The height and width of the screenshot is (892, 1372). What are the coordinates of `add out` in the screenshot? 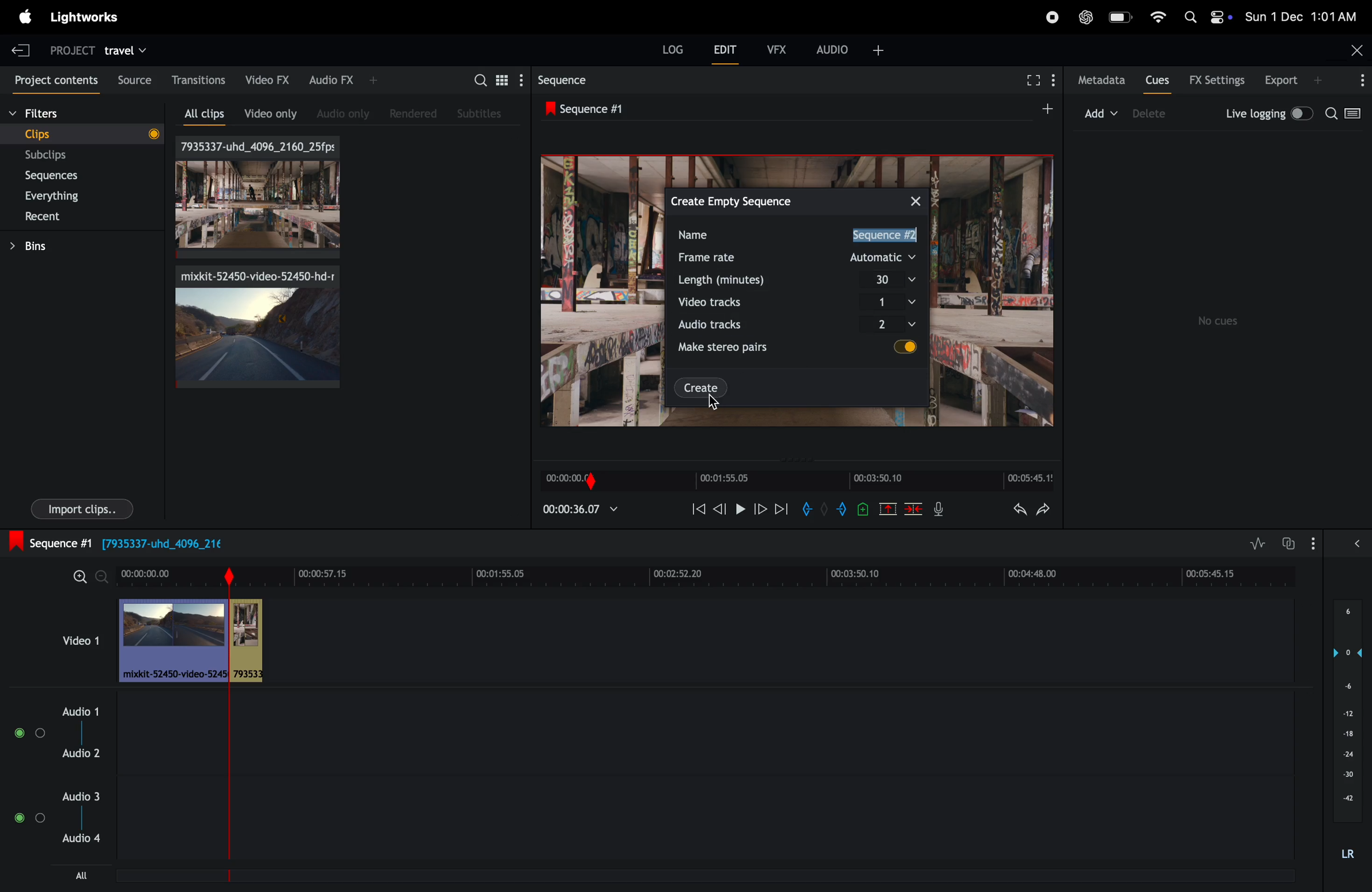 It's located at (842, 508).